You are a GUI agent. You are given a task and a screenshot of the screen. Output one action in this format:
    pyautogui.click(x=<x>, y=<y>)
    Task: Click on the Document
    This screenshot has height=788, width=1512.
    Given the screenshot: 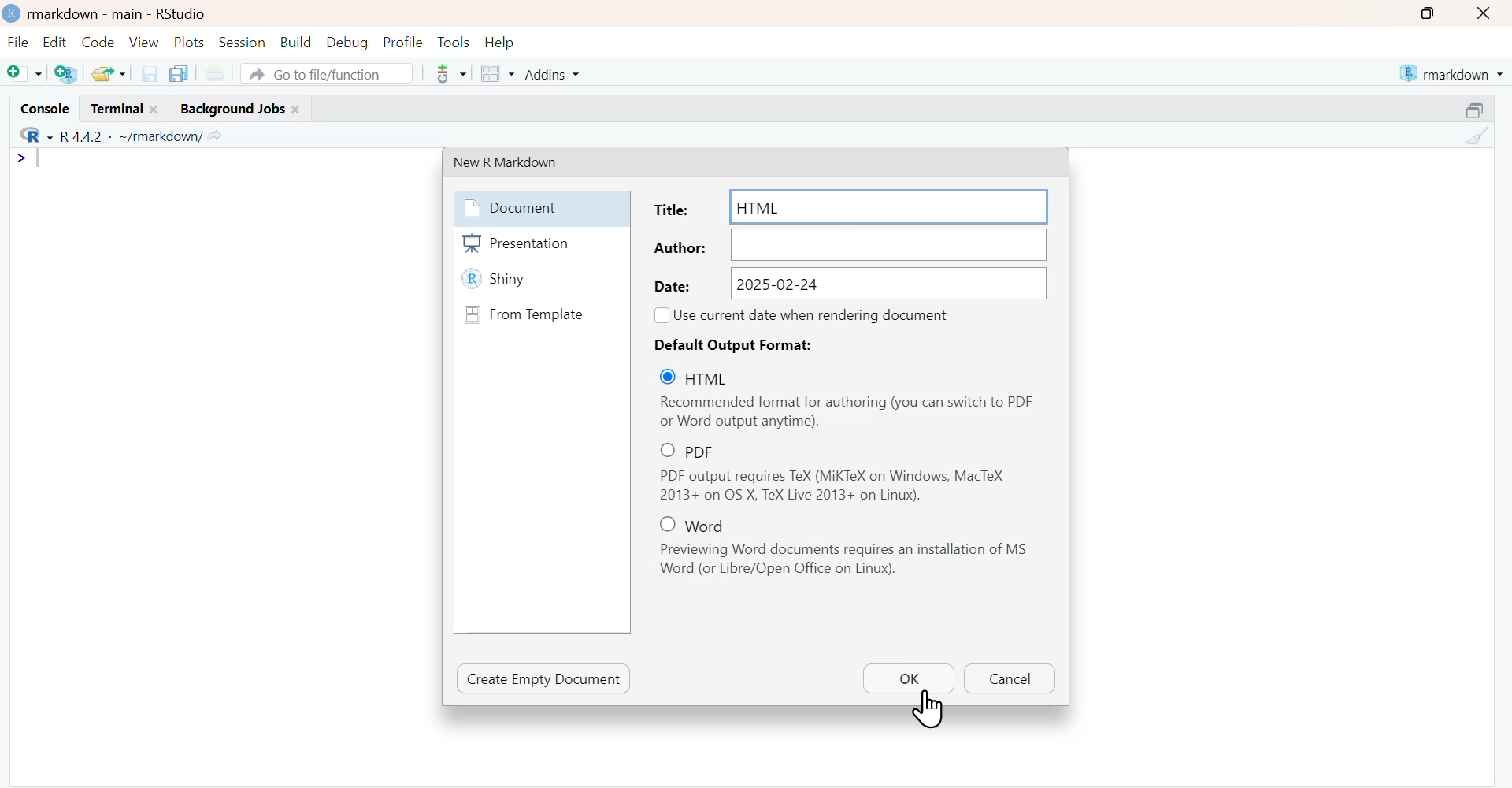 What is the action you would take?
    pyautogui.click(x=539, y=208)
    